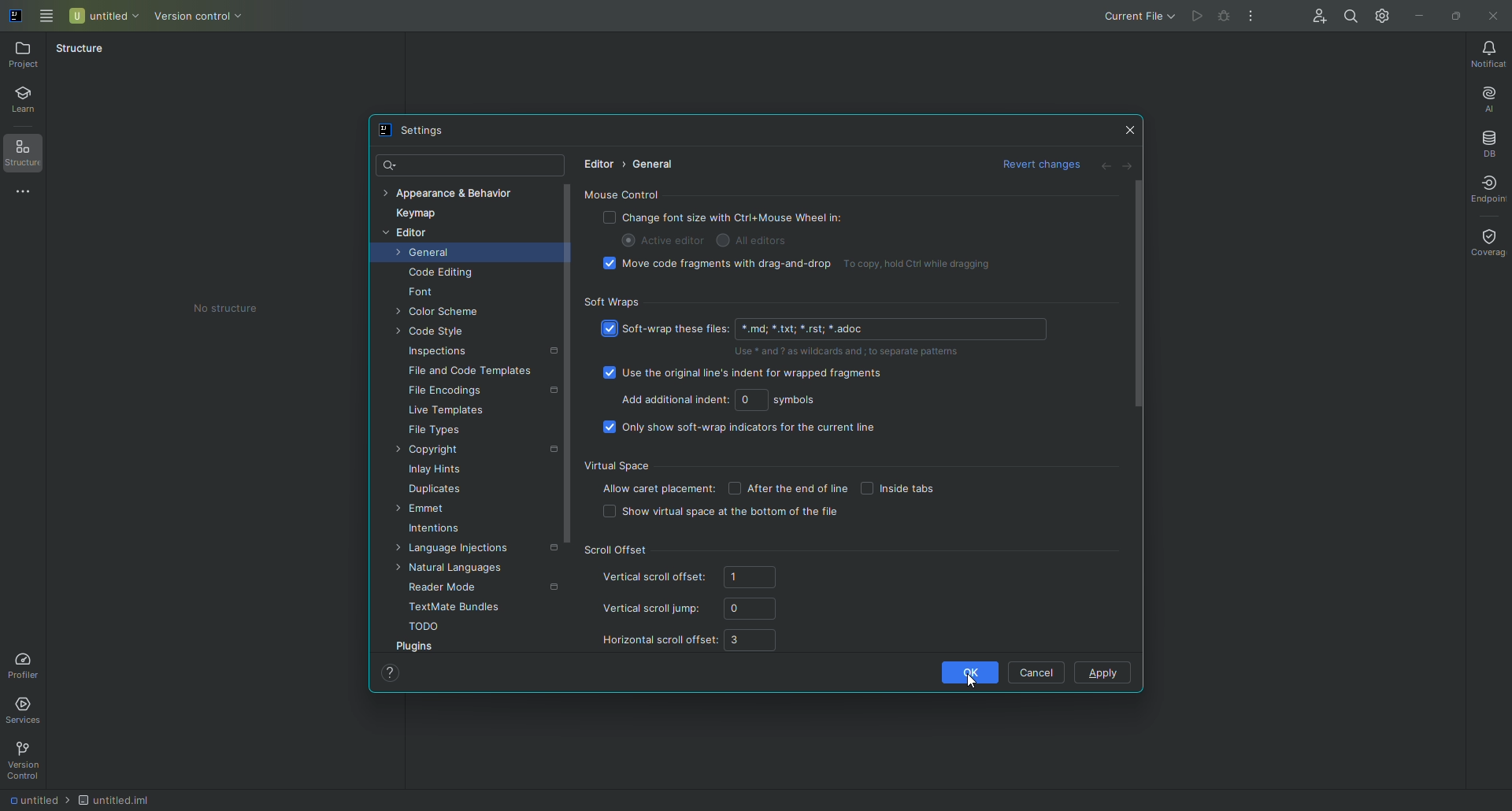  I want to click on Settings, so click(423, 131).